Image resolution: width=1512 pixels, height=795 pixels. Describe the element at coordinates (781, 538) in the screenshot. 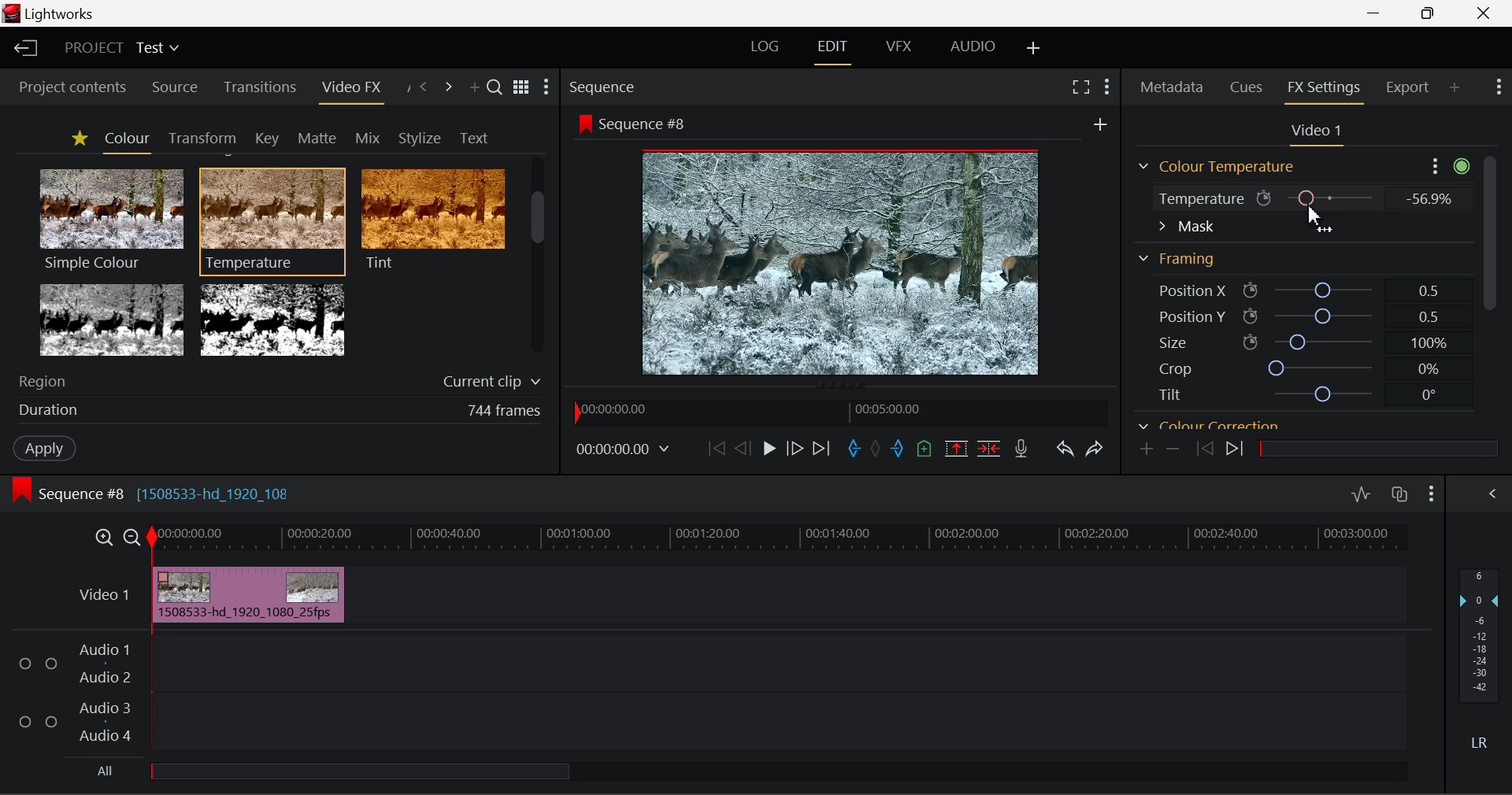

I see `Timeline Track` at that location.